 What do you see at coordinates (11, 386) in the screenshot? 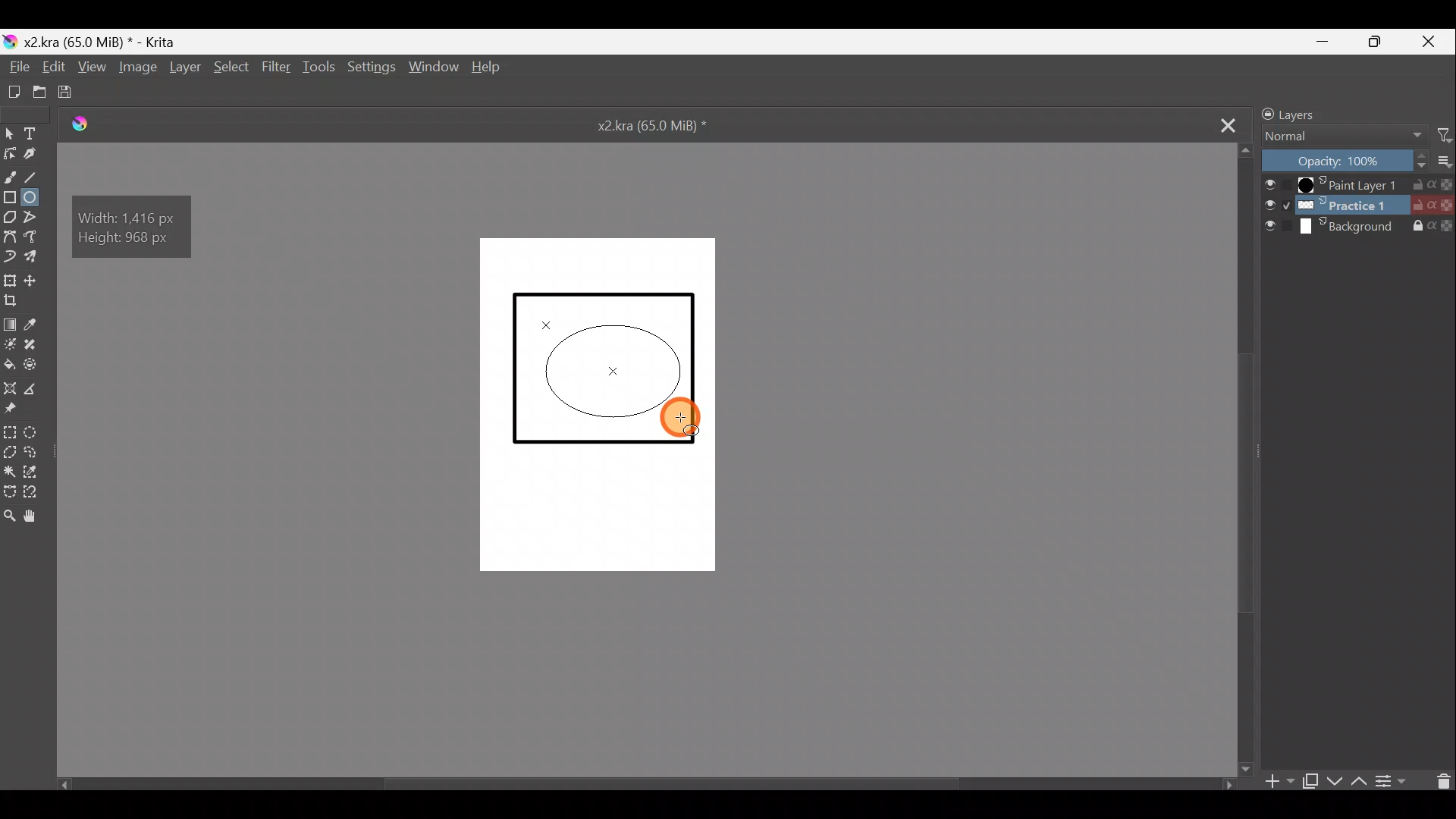
I see `Assistant tool` at bounding box center [11, 386].